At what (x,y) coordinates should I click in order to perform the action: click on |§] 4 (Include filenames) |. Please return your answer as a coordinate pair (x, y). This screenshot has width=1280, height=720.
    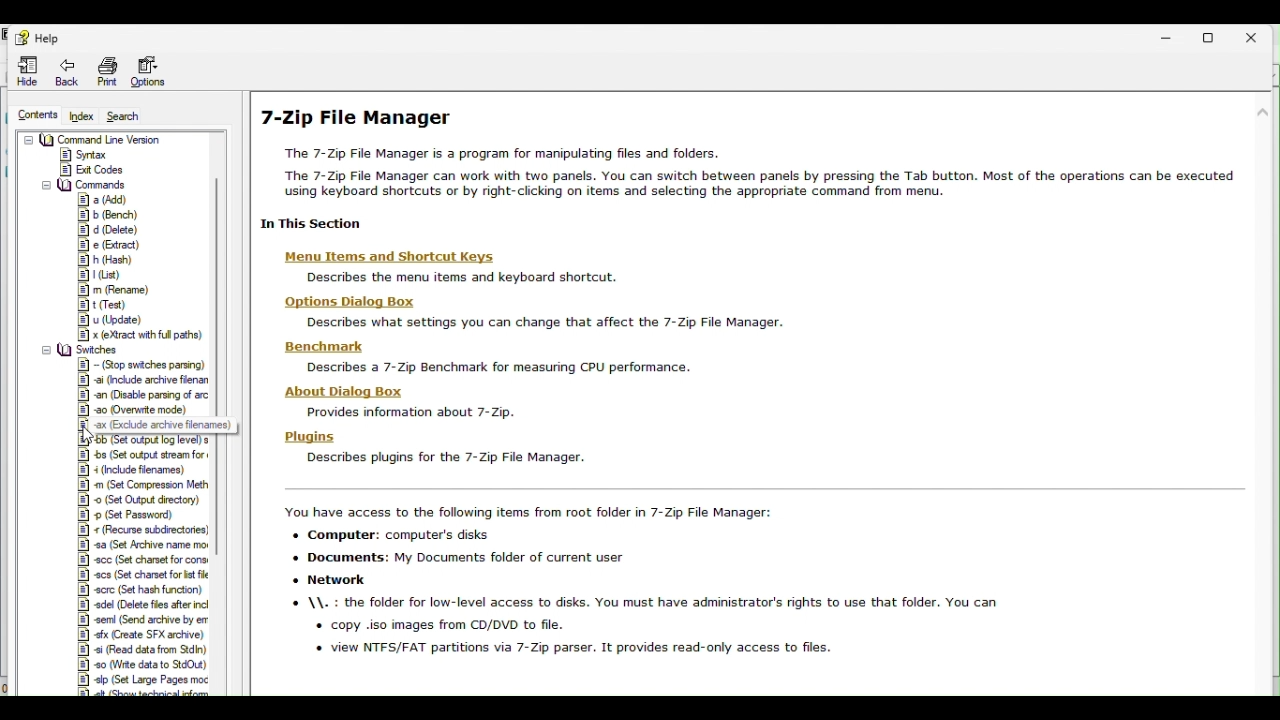
    Looking at the image, I should click on (145, 470).